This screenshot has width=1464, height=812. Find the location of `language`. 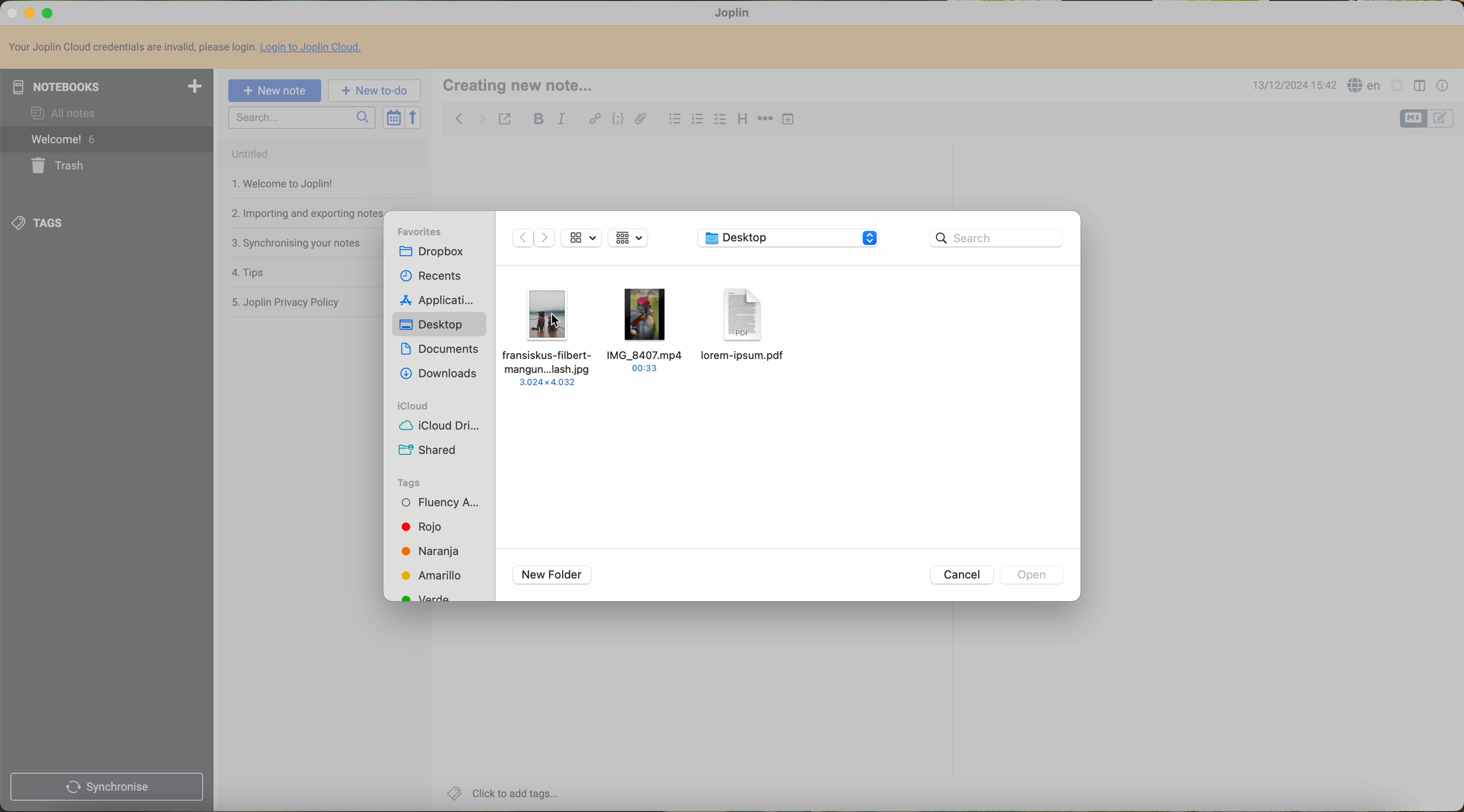

language is located at coordinates (1365, 85).